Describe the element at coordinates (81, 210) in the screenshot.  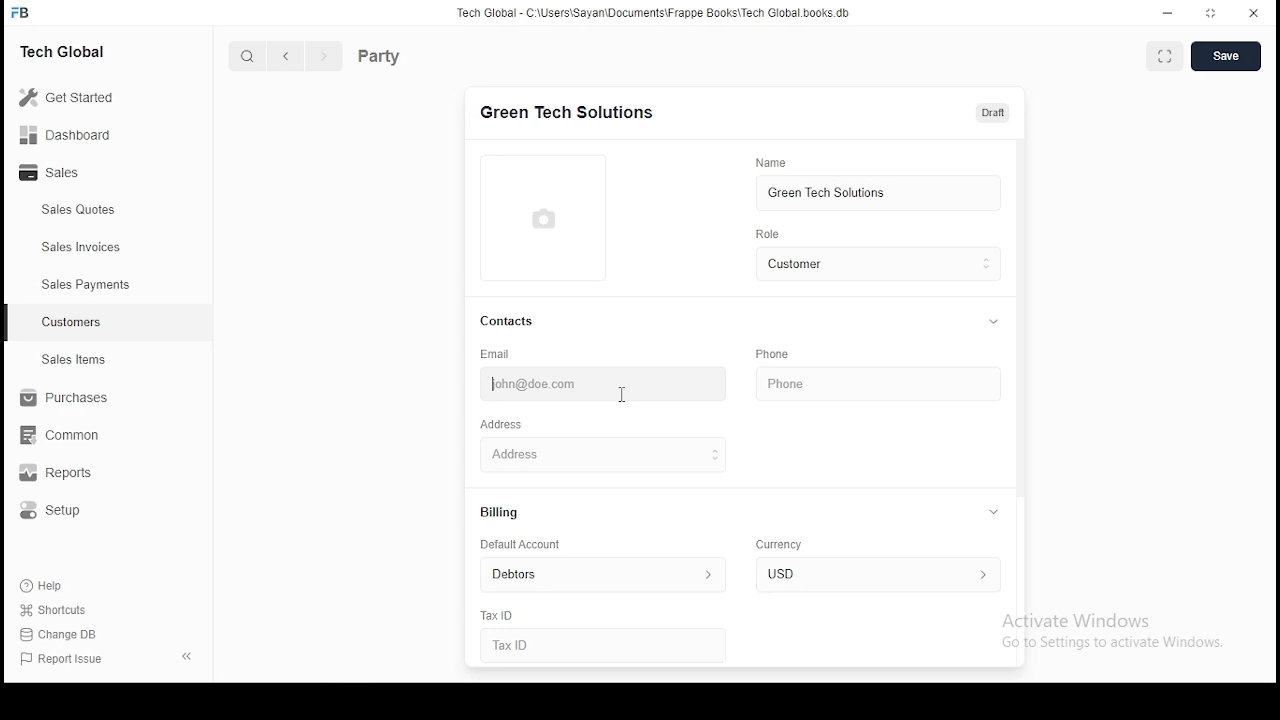
I see `sales quotes` at that location.